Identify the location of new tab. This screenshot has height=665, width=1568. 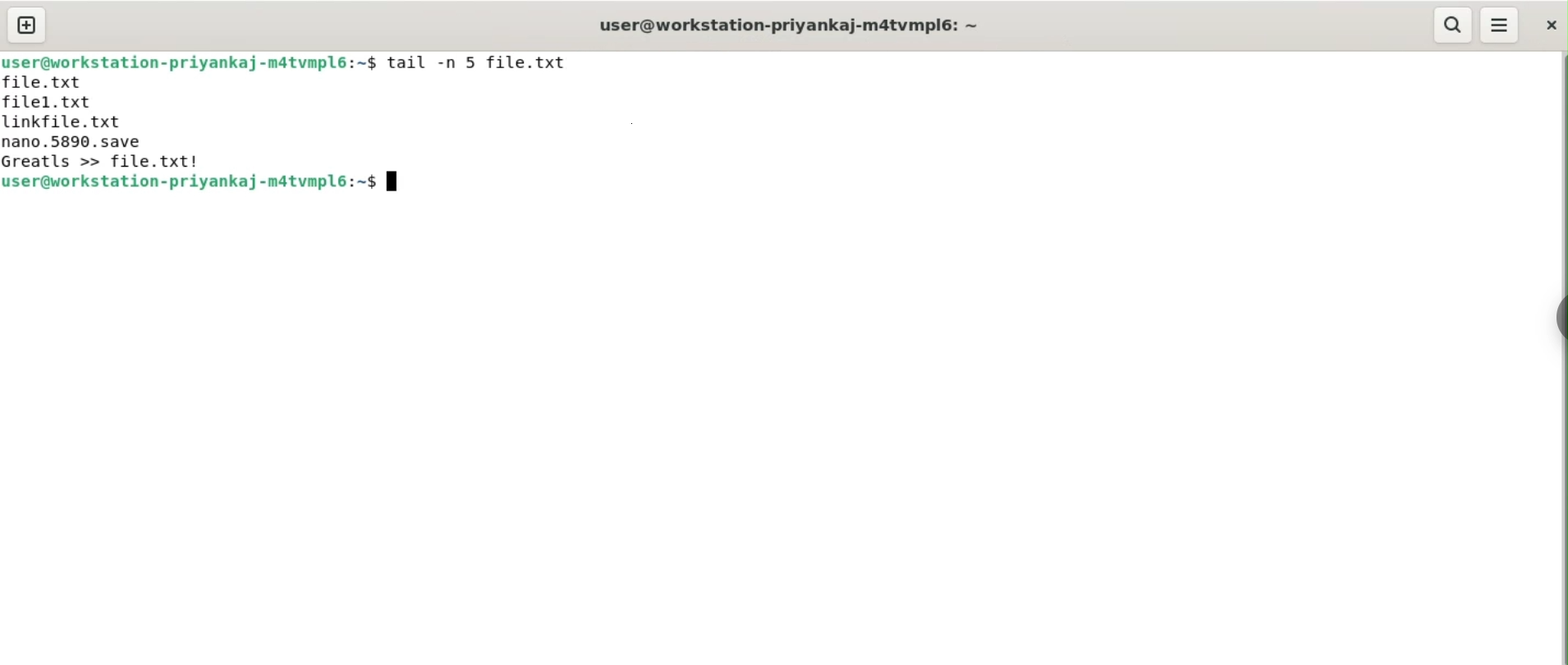
(27, 25).